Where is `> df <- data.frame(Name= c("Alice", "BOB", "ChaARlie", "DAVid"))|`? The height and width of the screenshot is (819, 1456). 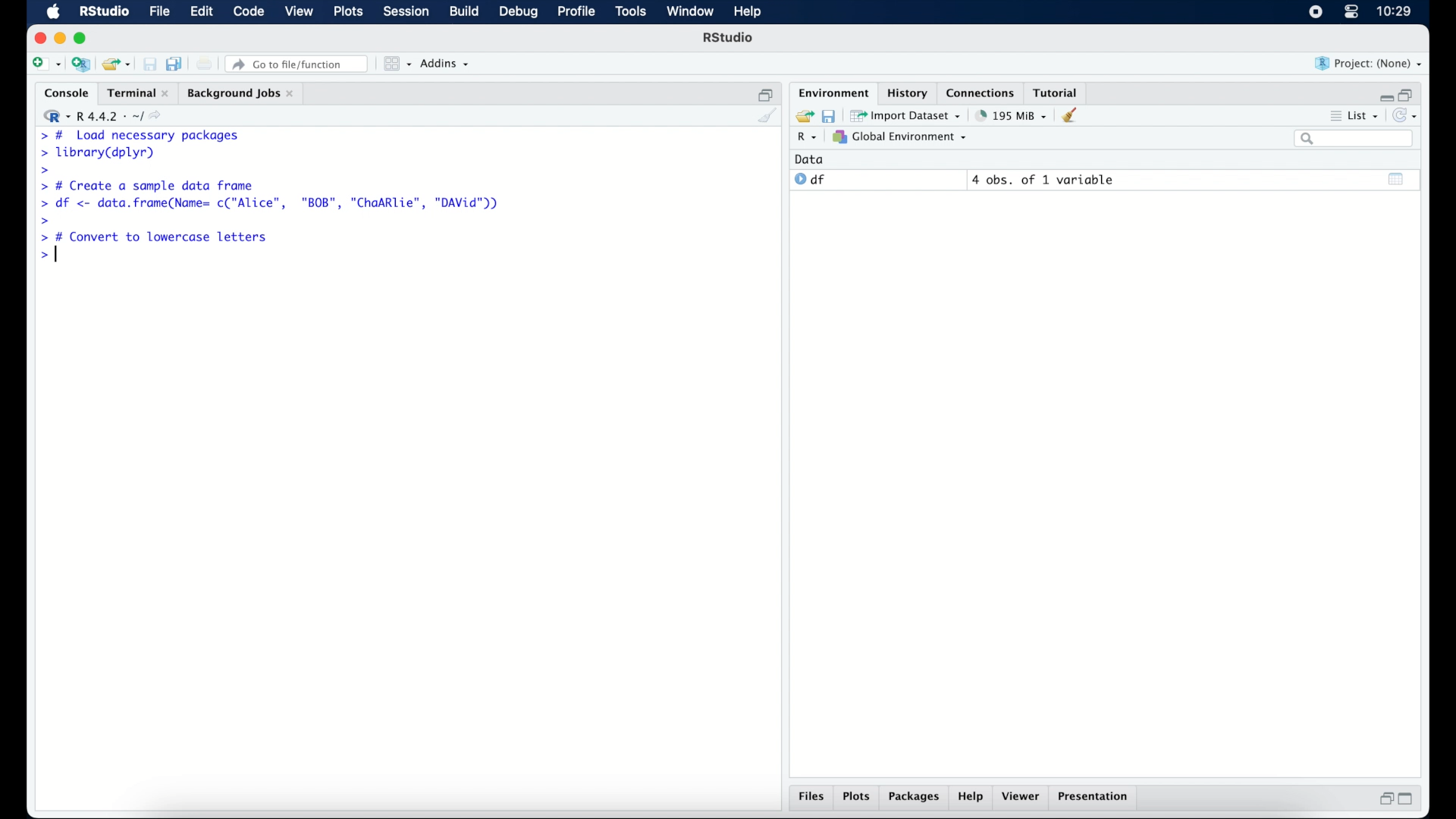 > df <- data.frame(Name= c("Alice", "BOB", "ChaARlie", "DAVid"))| is located at coordinates (274, 204).